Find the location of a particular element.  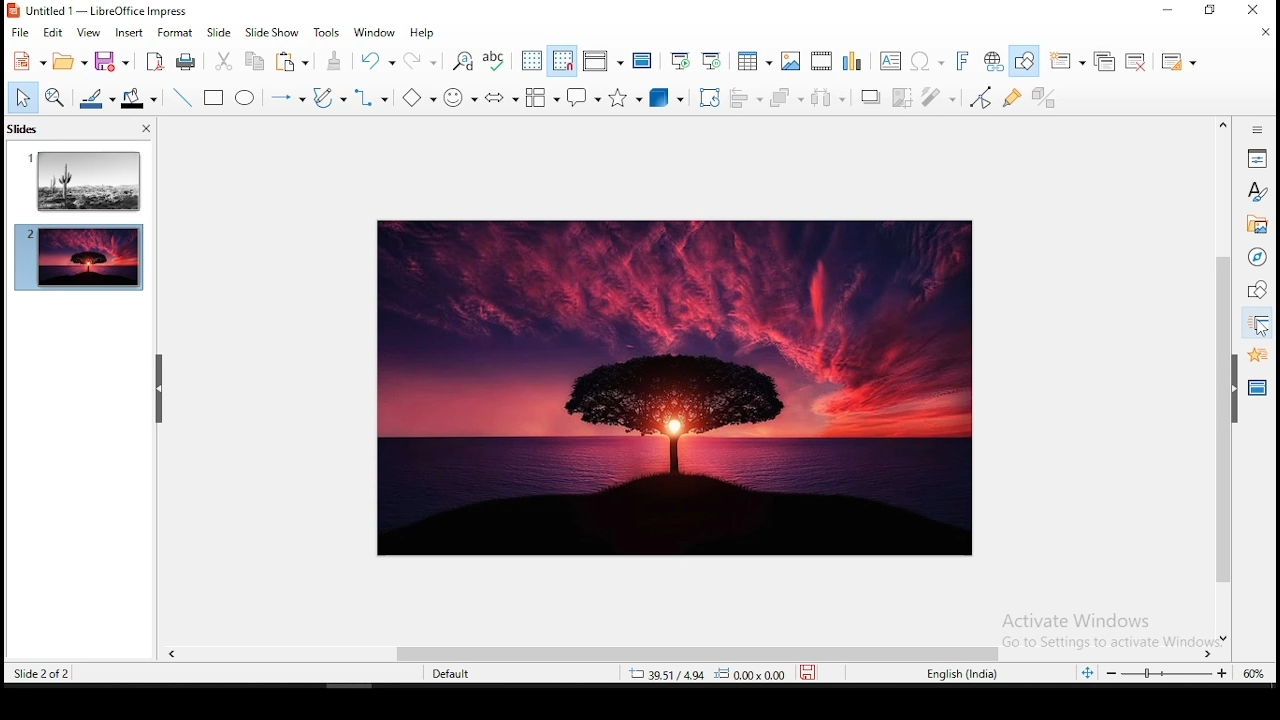

slide 2 is located at coordinates (81, 257).